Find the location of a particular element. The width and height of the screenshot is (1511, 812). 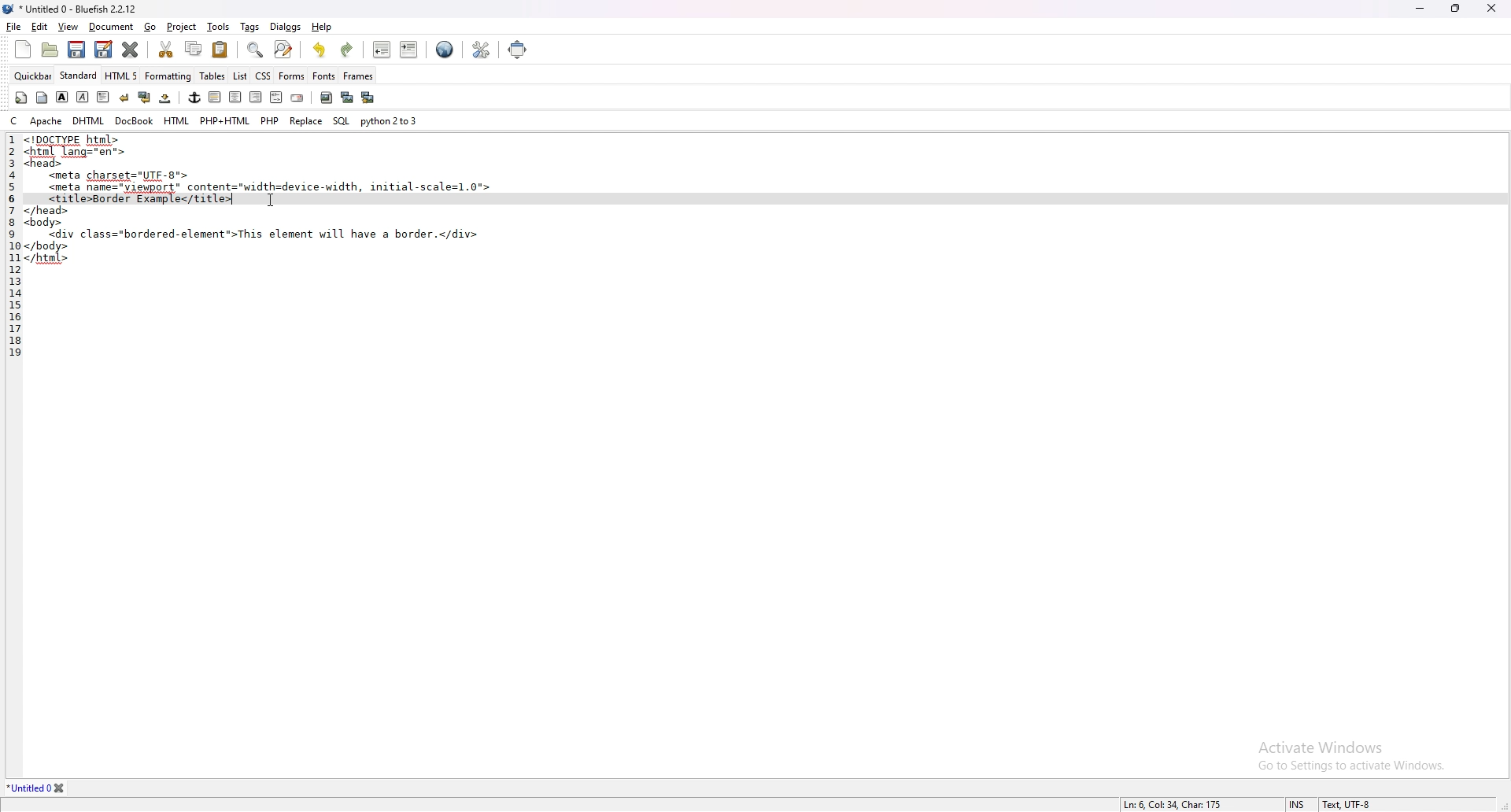

insert image is located at coordinates (327, 98).